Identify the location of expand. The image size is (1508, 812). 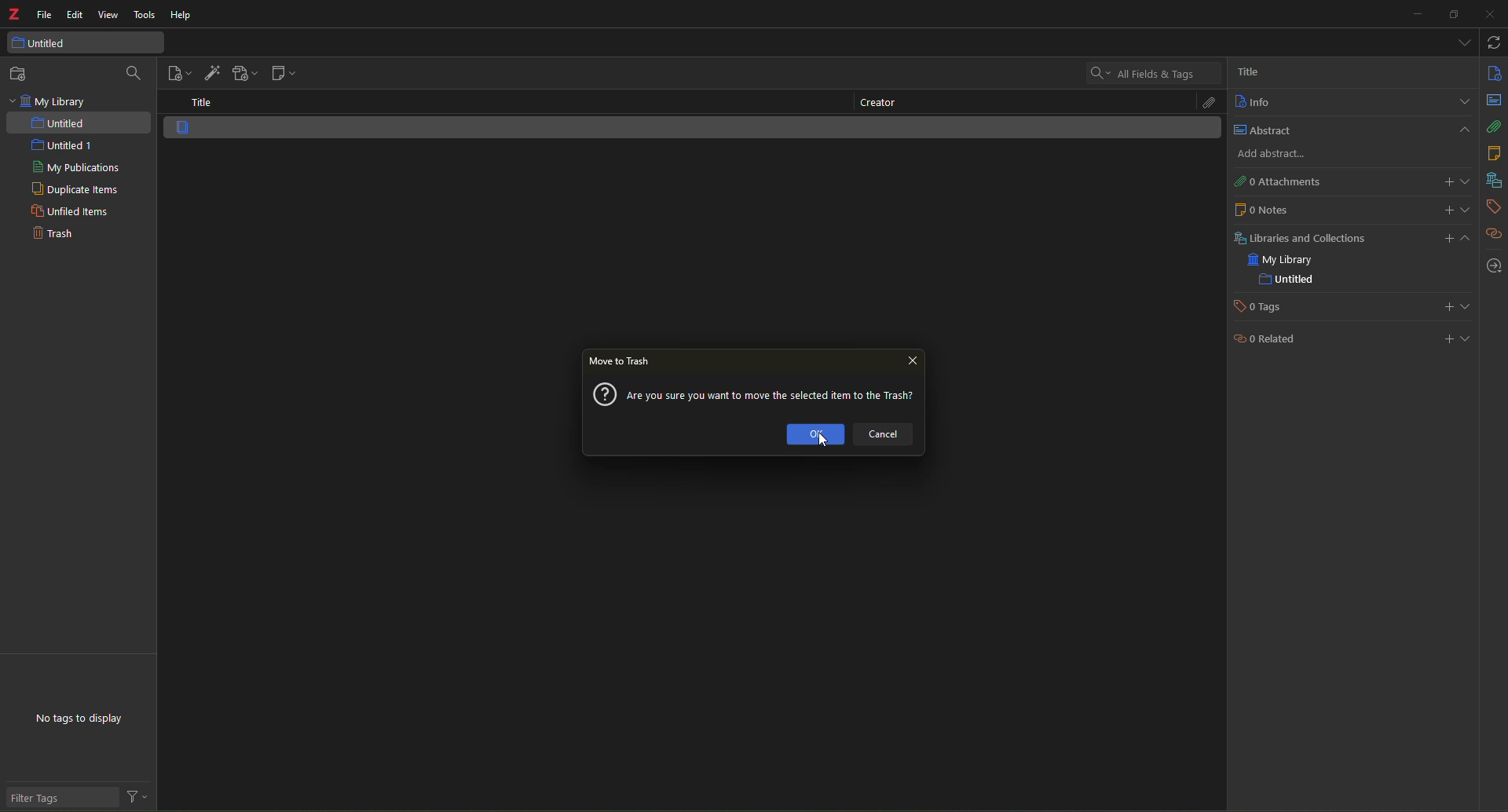
(1466, 306).